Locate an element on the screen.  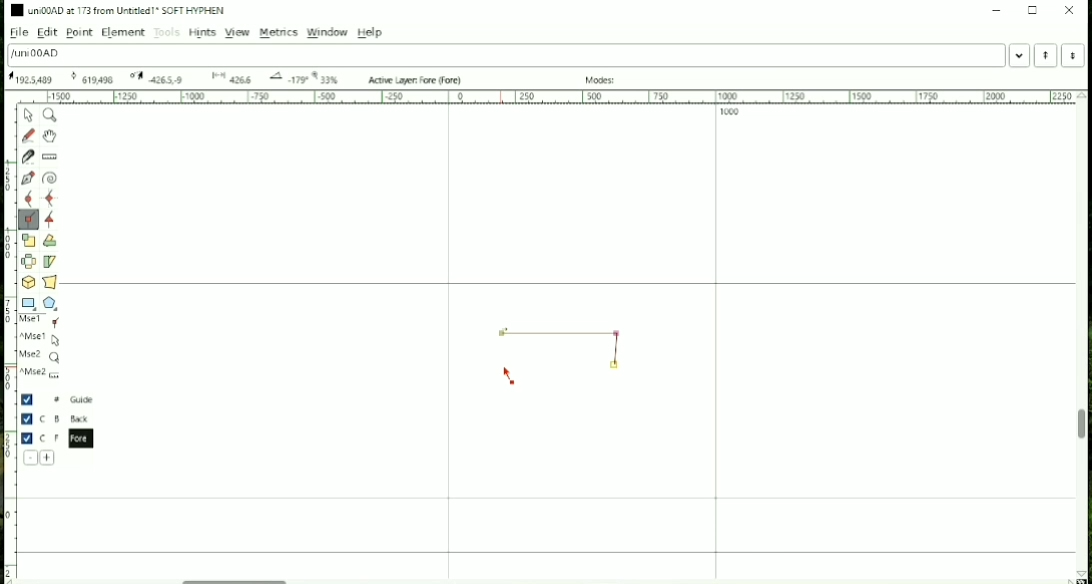
Fore is located at coordinates (63, 438).